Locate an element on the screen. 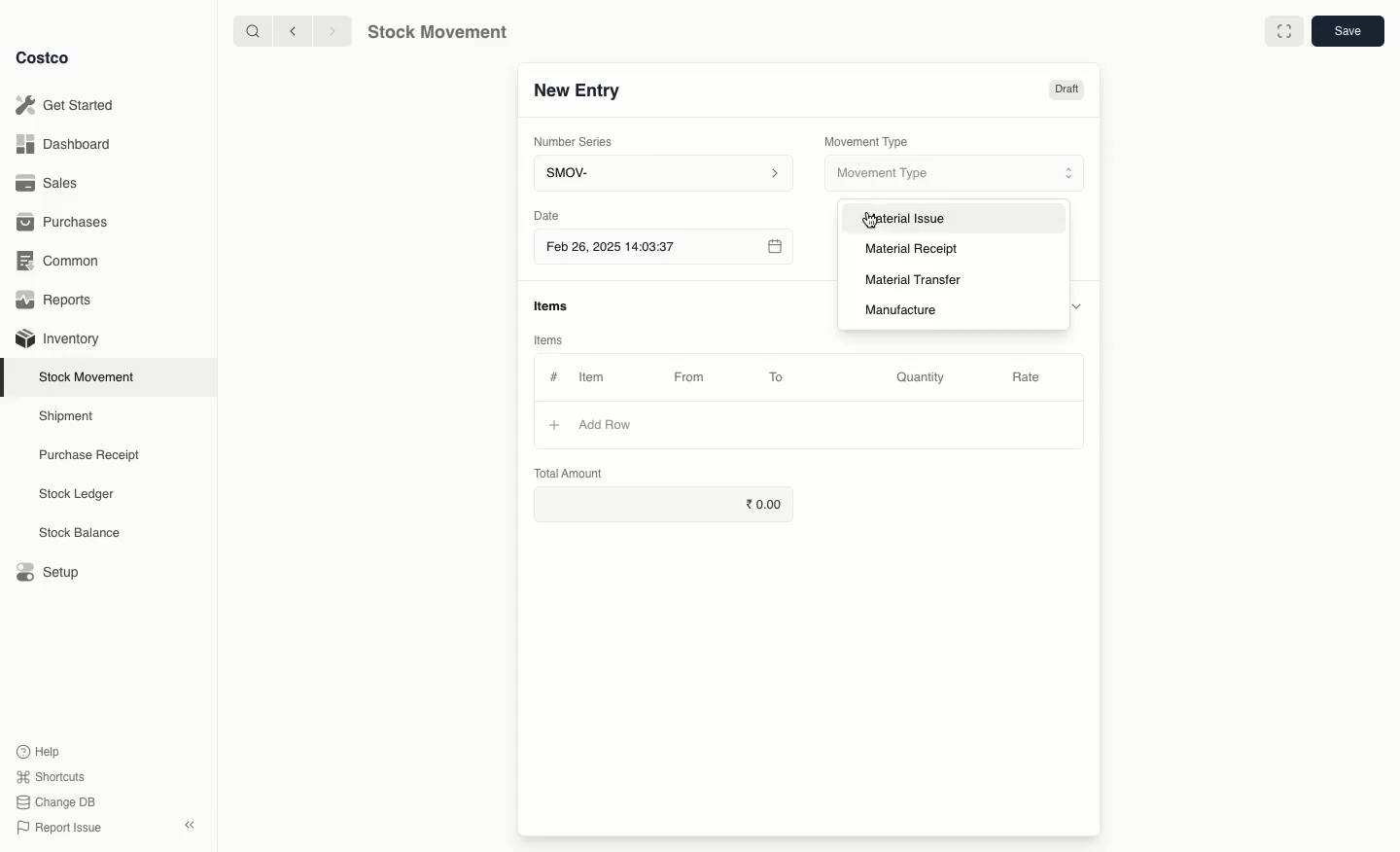 The width and height of the screenshot is (1400, 852). Date is located at coordinates (545, 215).